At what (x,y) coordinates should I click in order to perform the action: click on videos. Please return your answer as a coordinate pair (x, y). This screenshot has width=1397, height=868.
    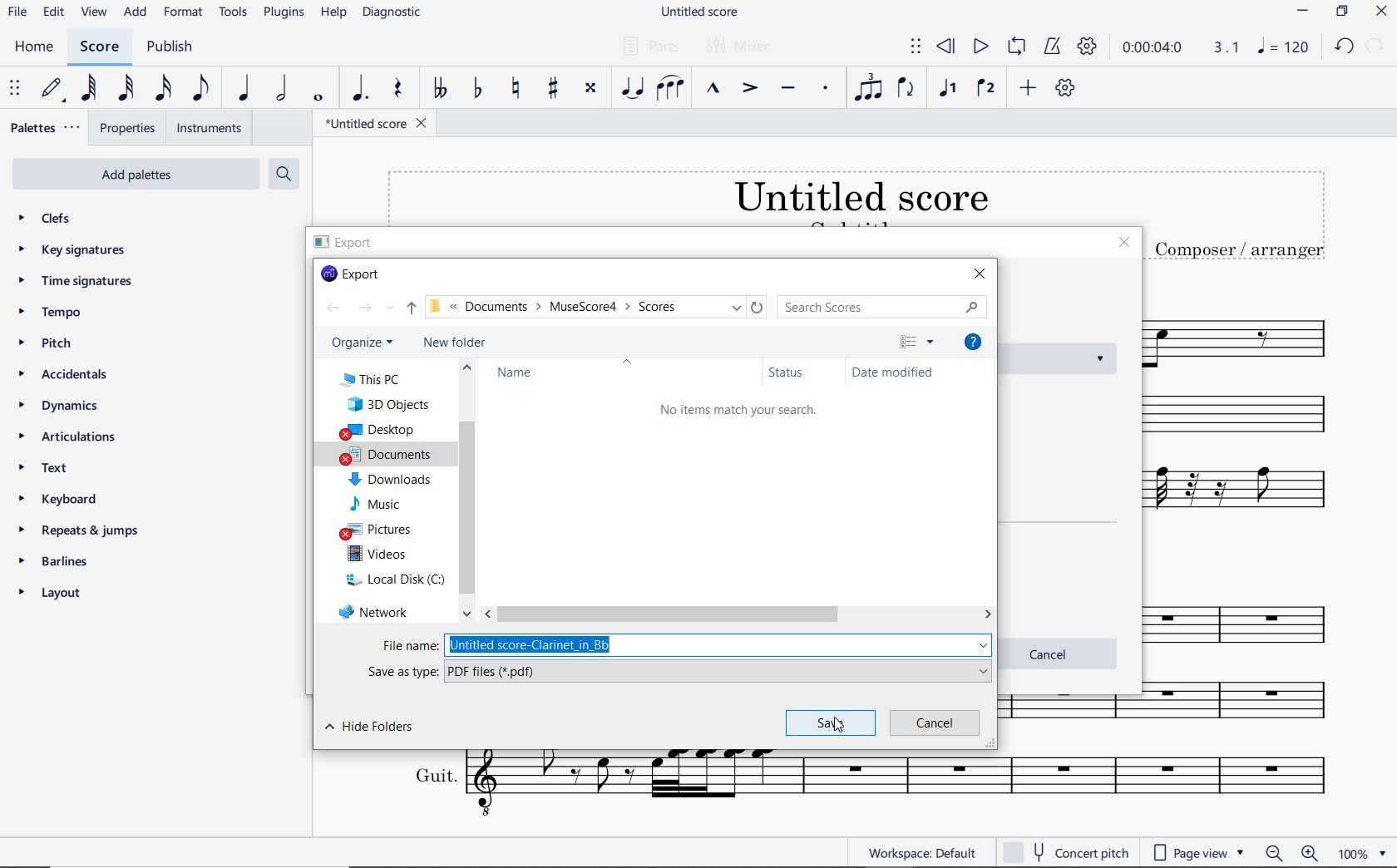
    Looking at the image, I should click on (378, 554).